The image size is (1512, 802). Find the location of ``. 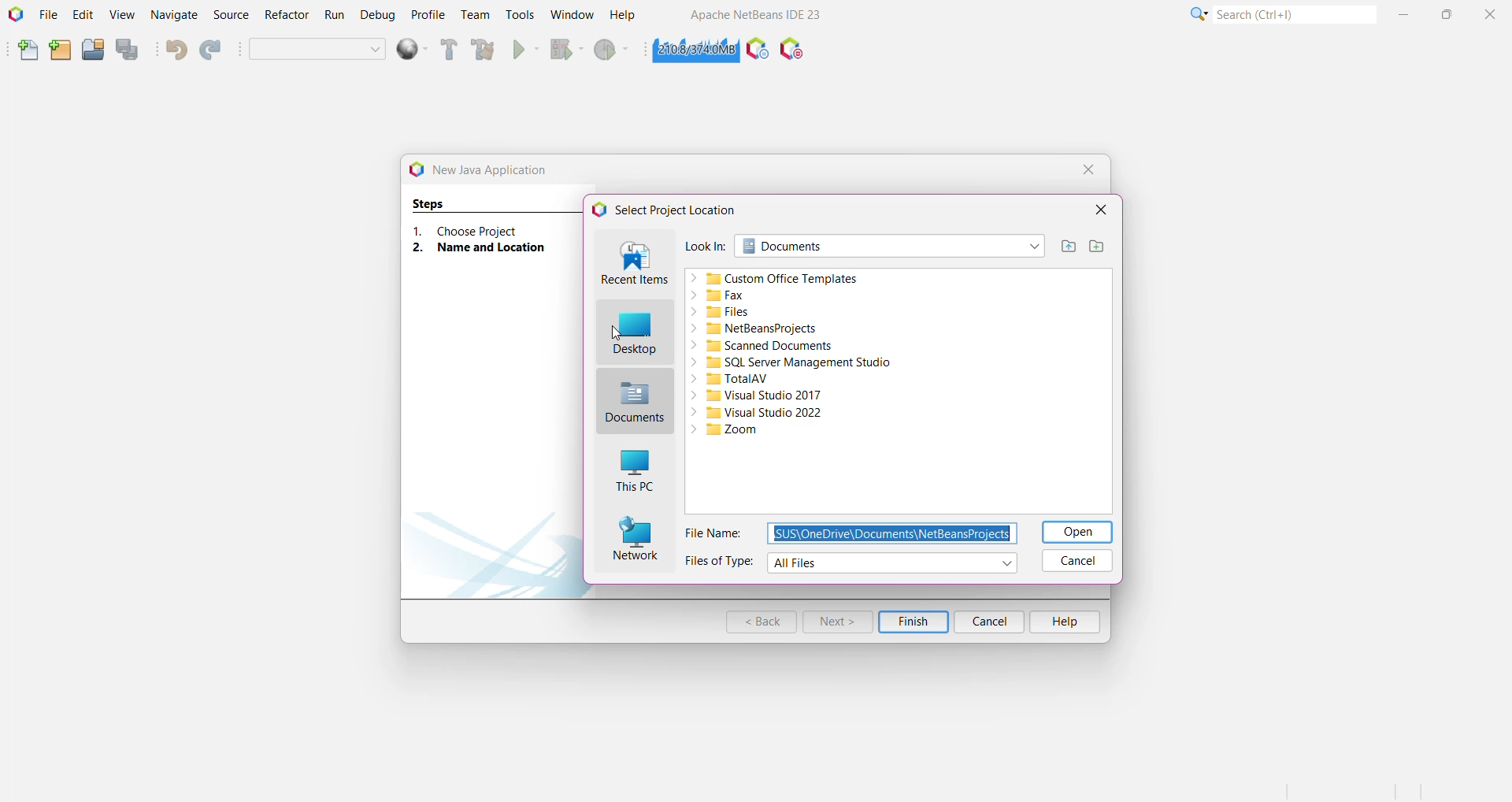

 is located at coordinates (632, 402).